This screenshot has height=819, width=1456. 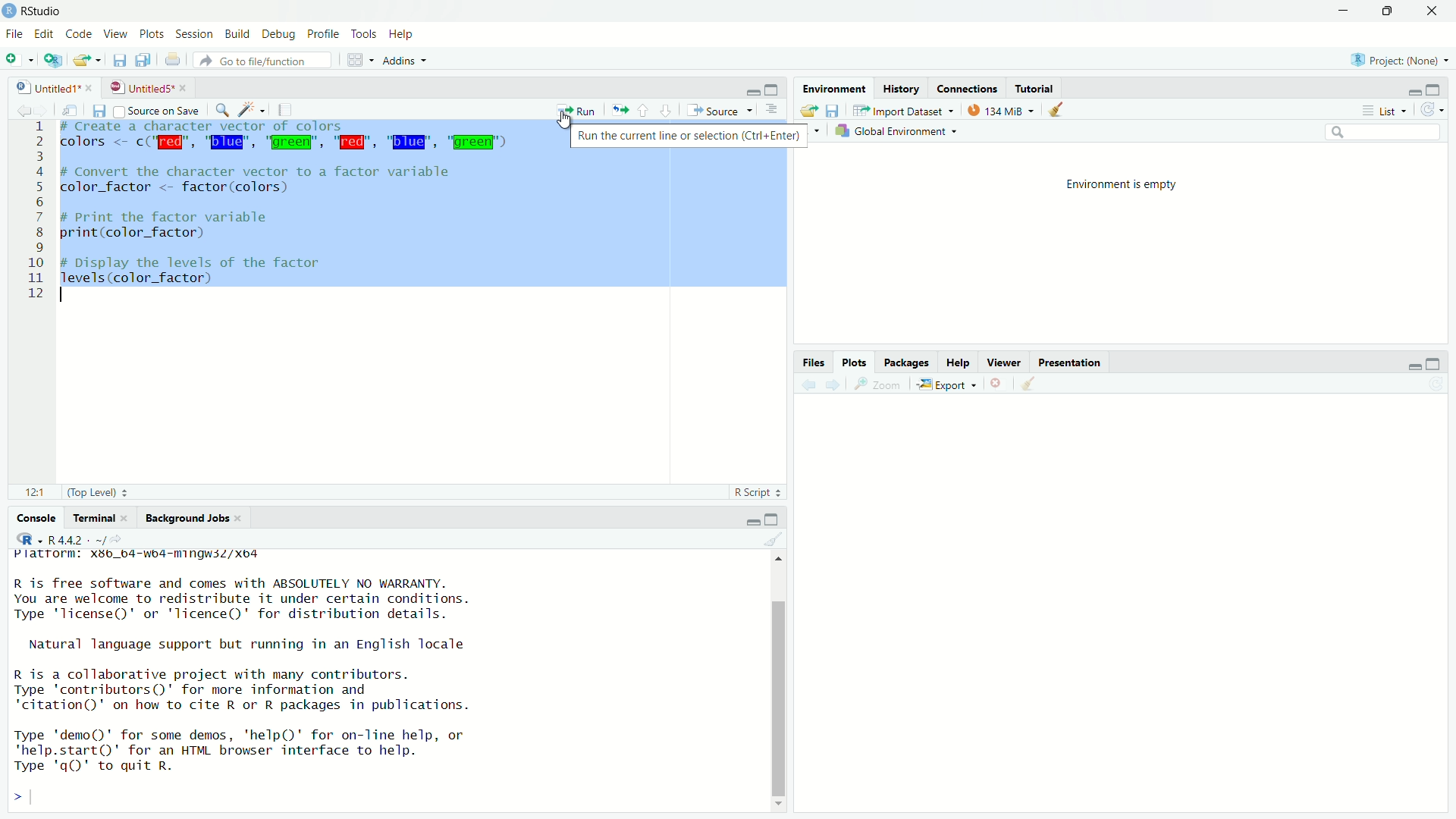 What do you see at coordinates (566, 121) in the screenshot?
I see `cursor` at bounding box center [566, 121].